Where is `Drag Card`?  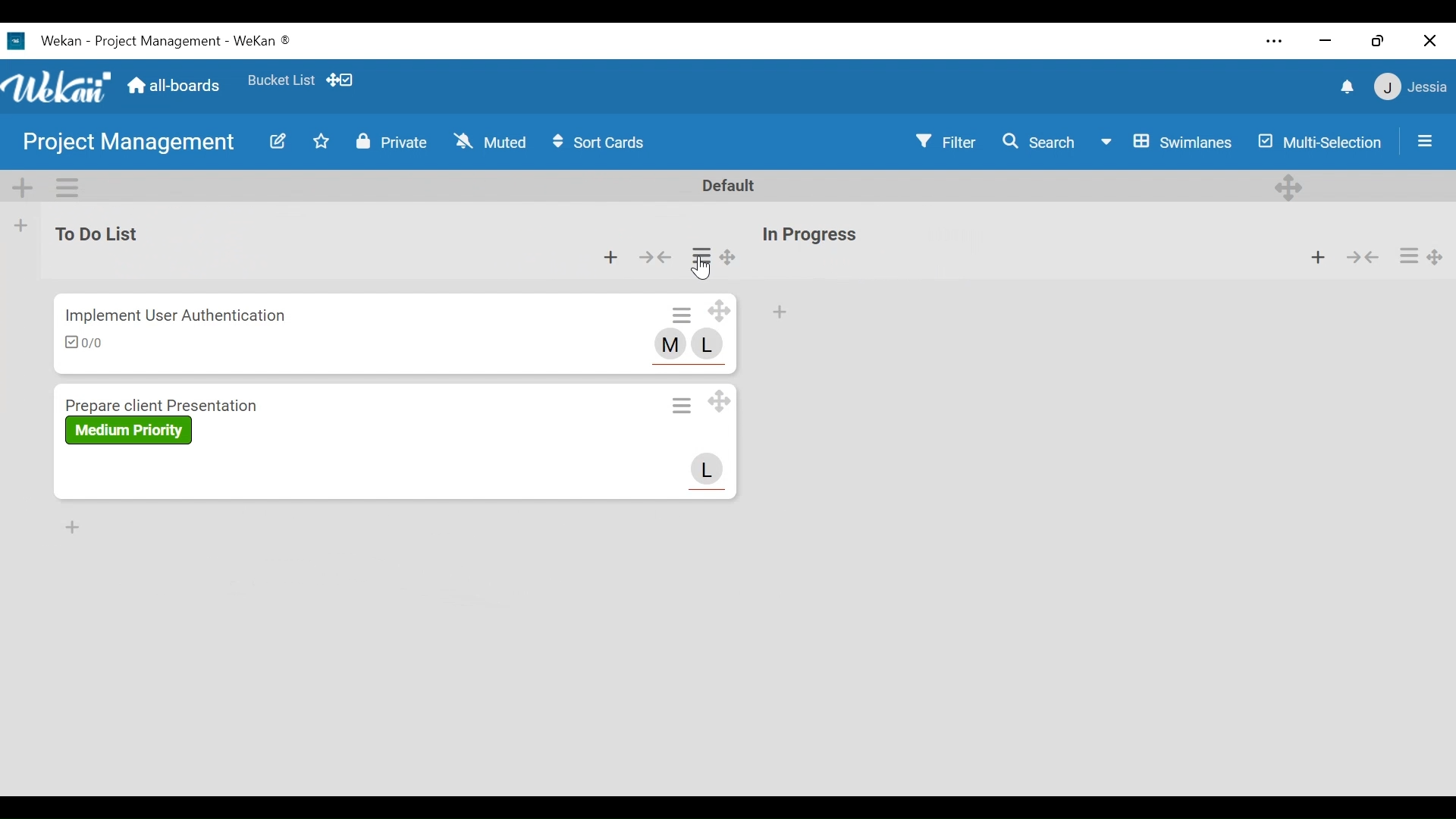 Drag Card is located at coordinates (719, 402).